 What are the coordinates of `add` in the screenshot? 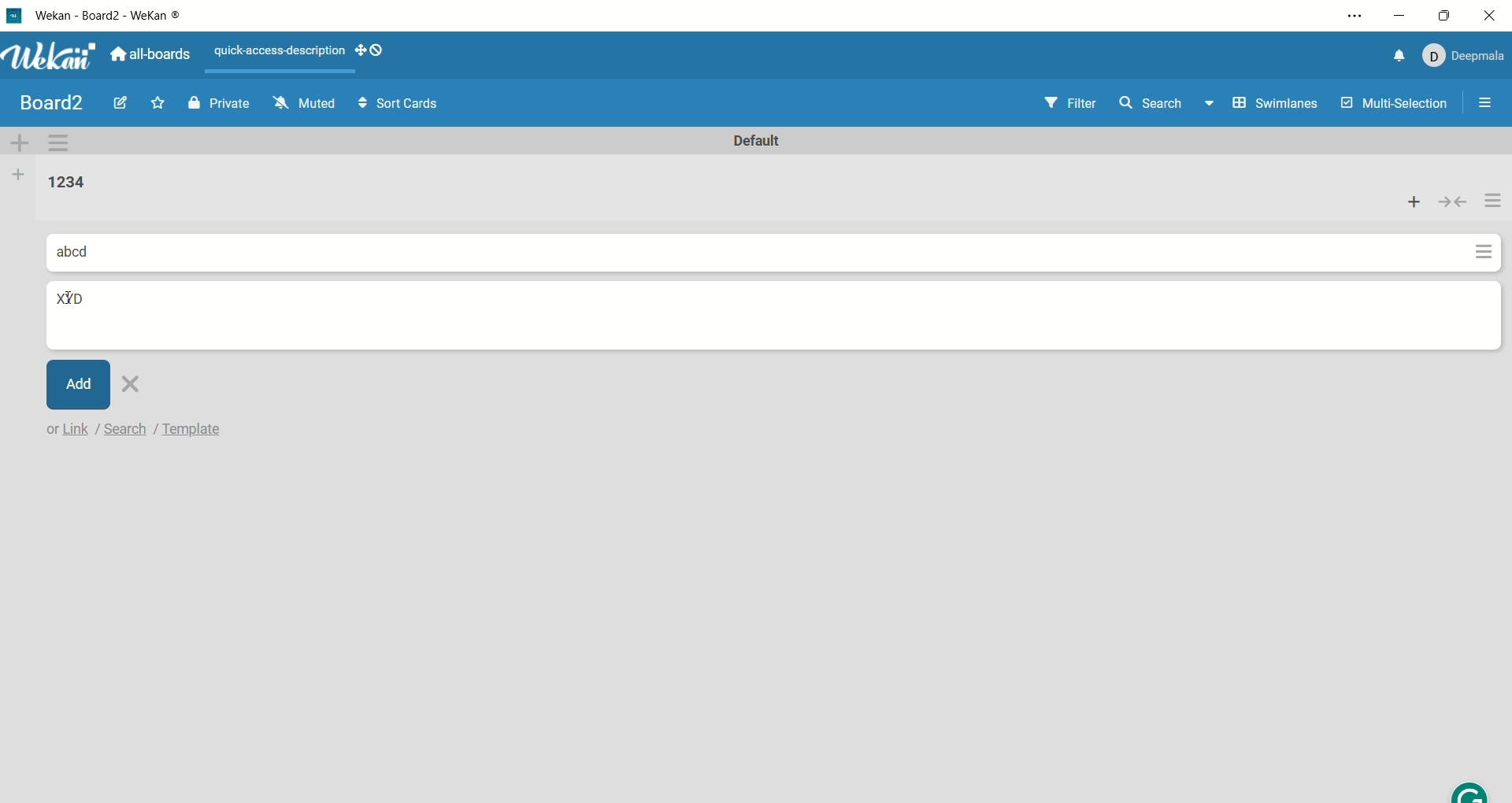 It's located at (80, 387).